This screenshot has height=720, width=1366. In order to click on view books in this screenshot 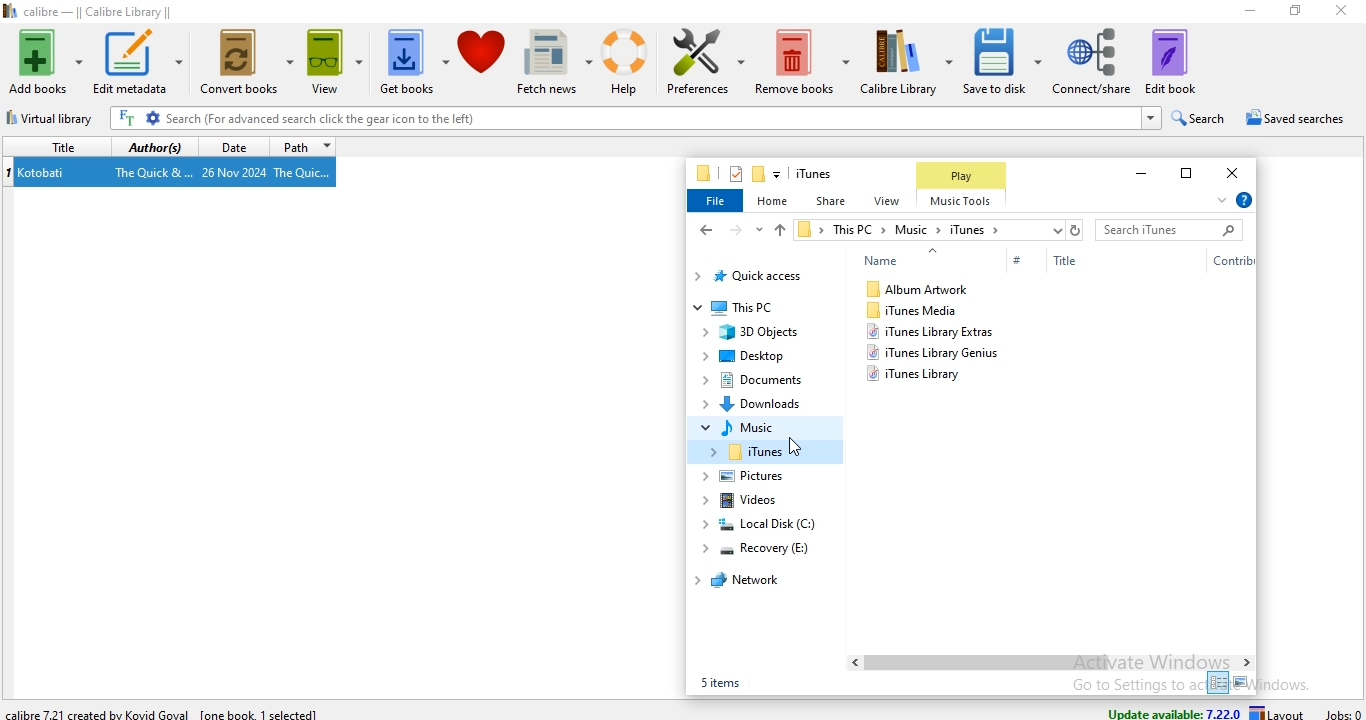, I will do `click(337, 63)`.